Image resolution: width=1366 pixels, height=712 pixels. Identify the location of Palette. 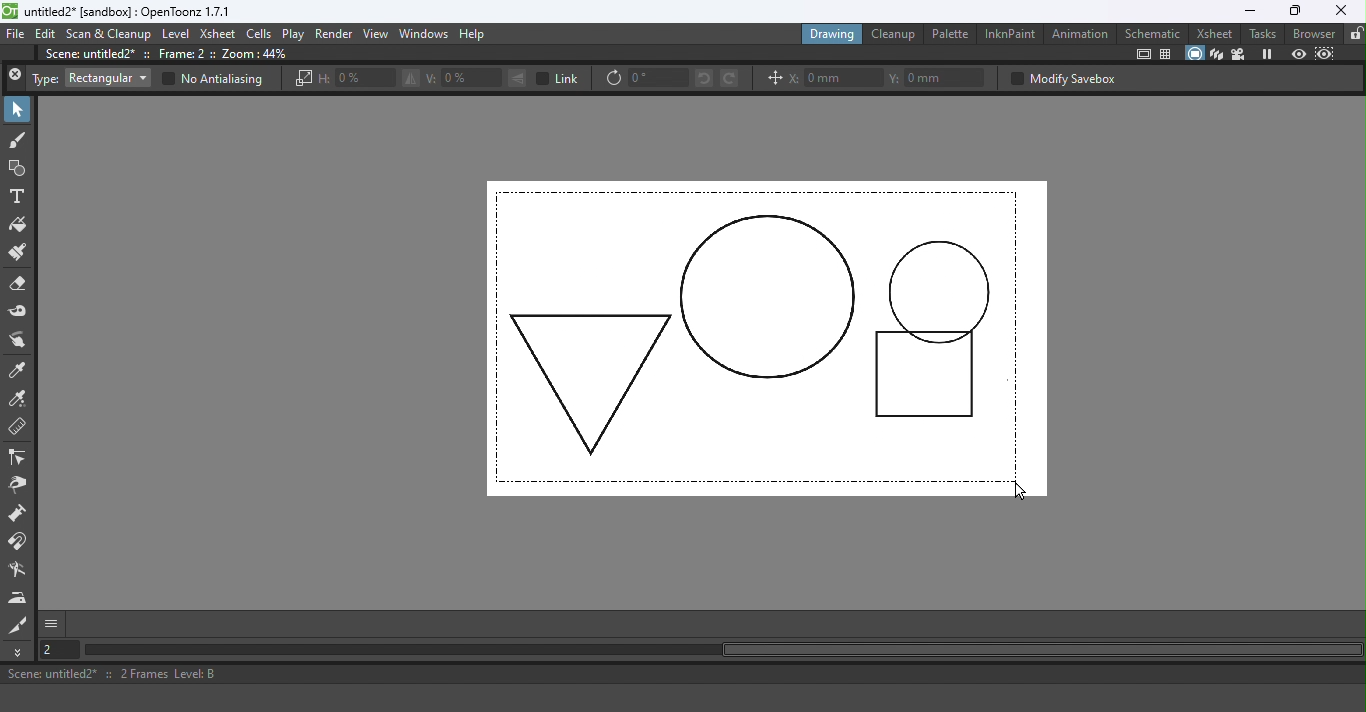
(949, 35).